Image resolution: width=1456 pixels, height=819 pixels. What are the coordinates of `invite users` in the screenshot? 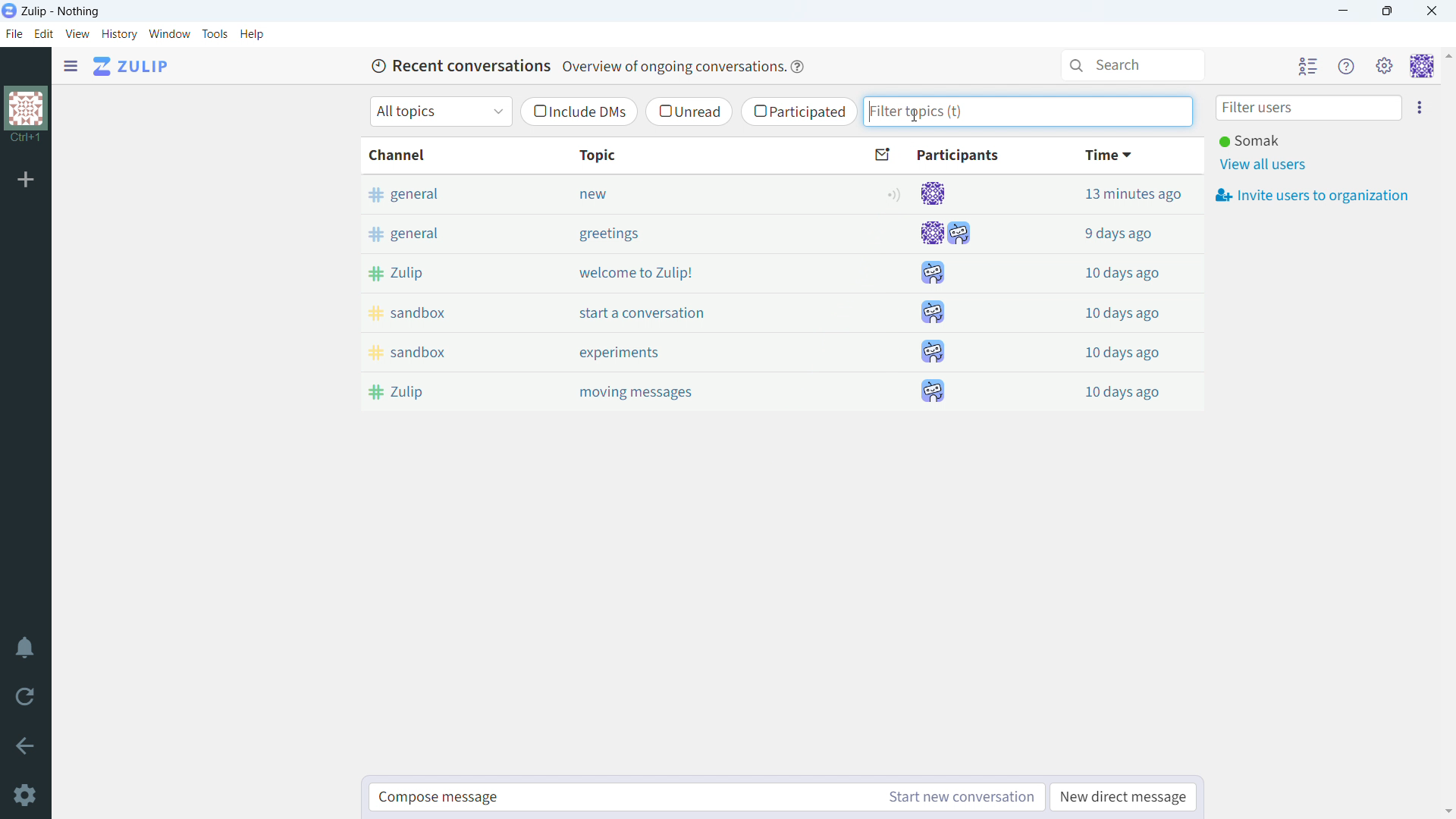 It's located at (1312, 196).